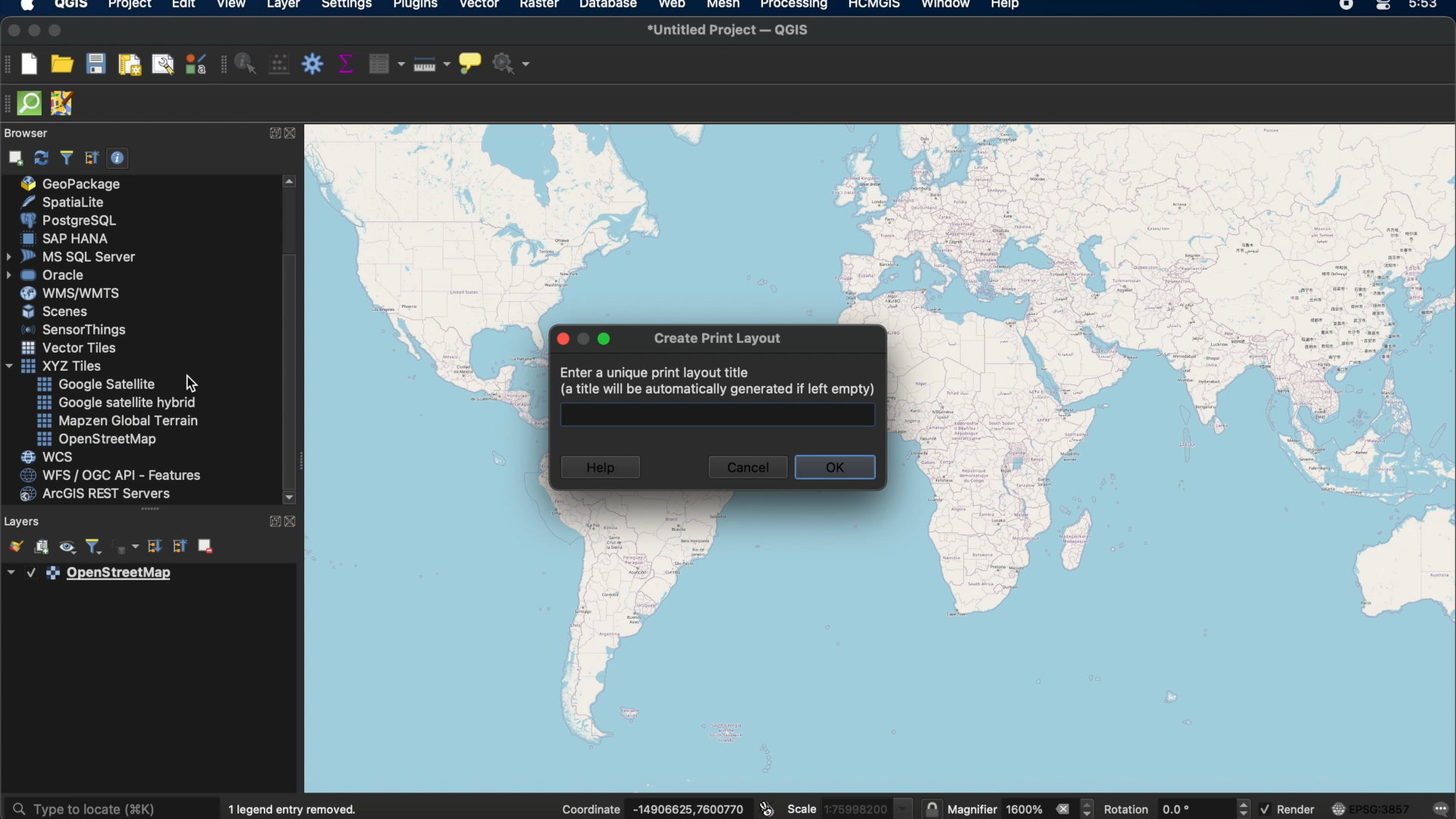 The height and width of the screenshot is (819, 1456). Describe the element at coordinates (207, 545) in the screenshot. I see `remove layer group` at that location.